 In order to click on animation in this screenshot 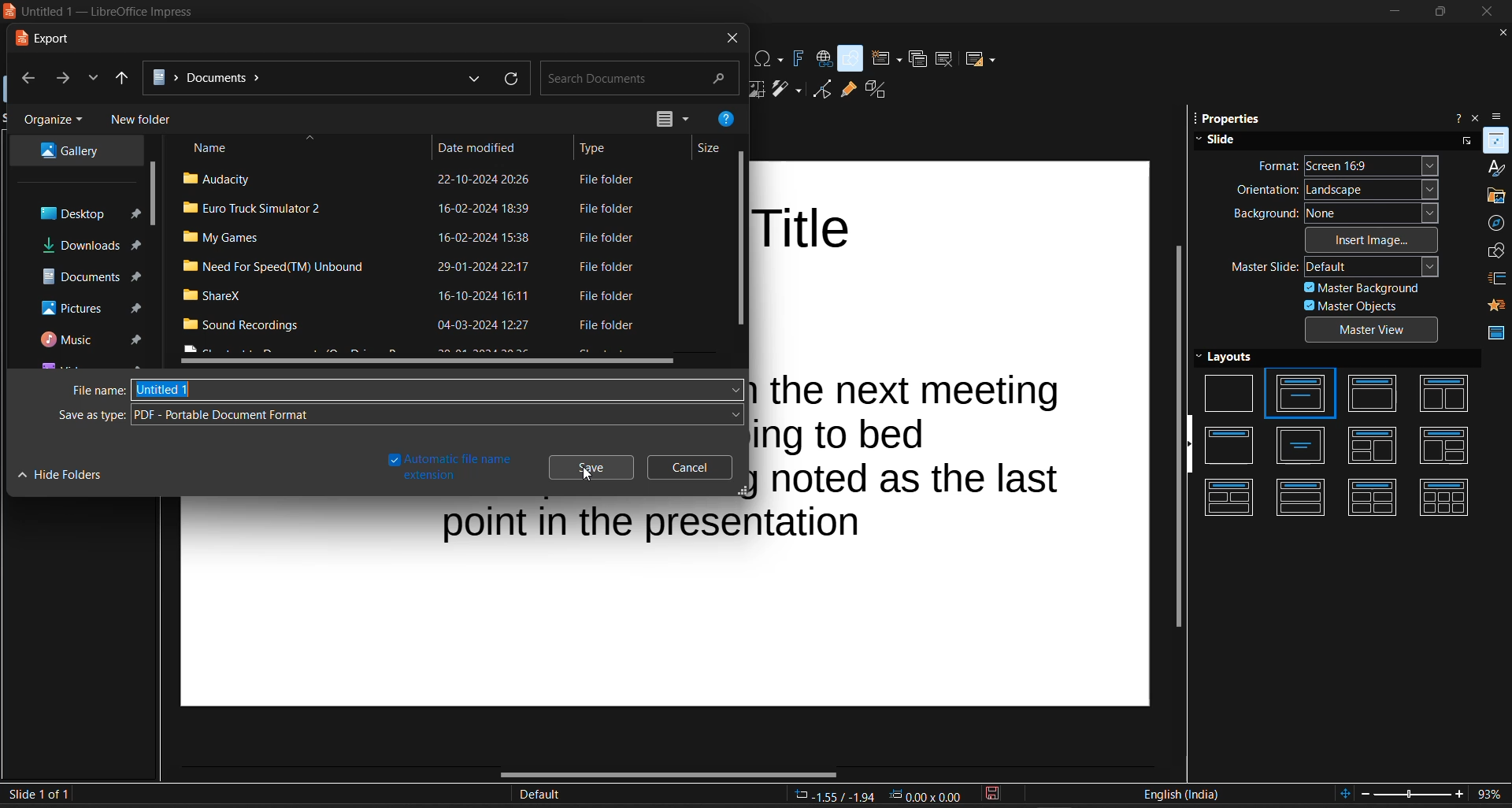, I will do `click(1498, 305)`.